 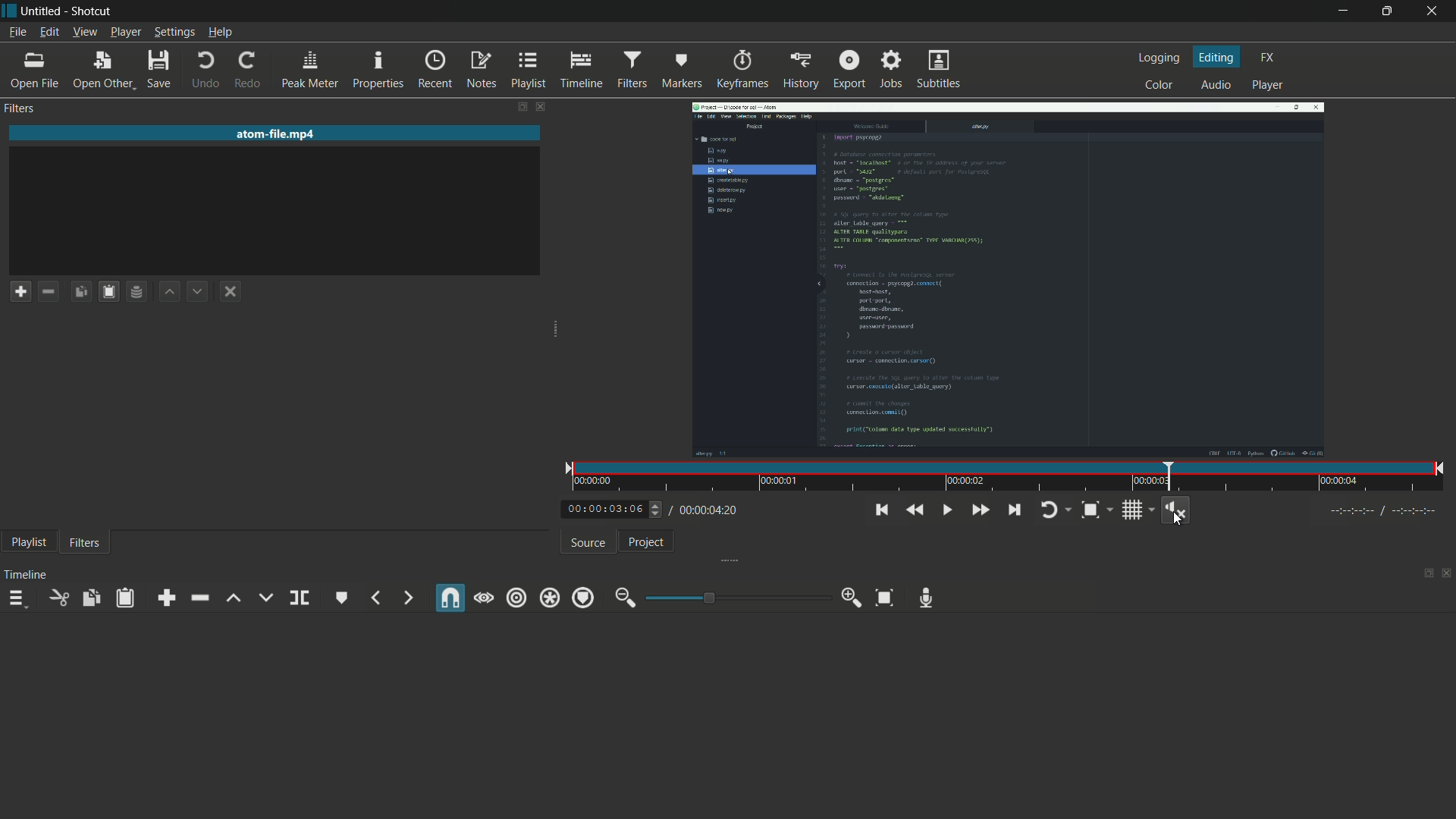 I want to click on zoom timeline to fit, so click(x=882, y=598).